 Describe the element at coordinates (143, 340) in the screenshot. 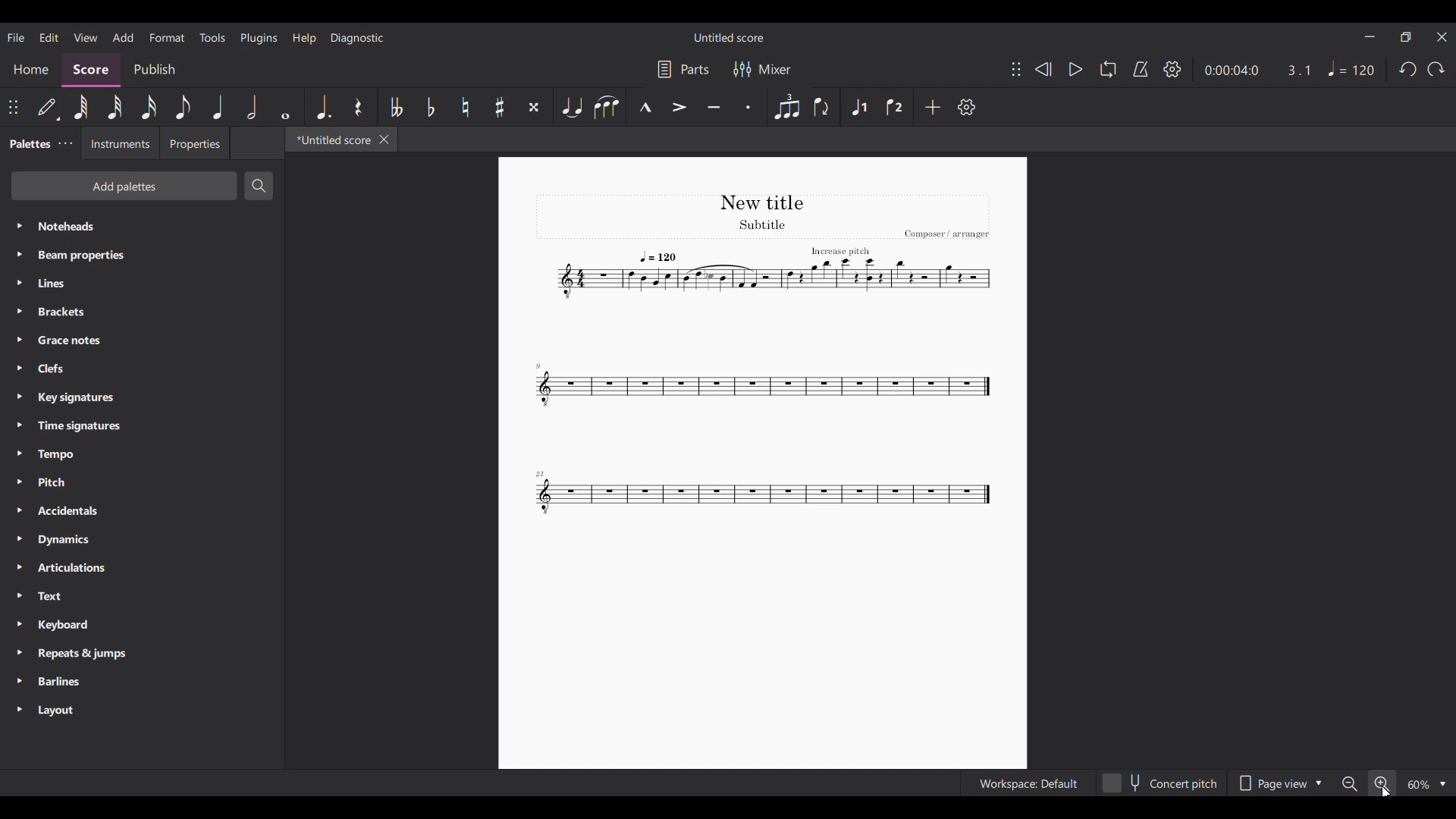

I see `Grace notes` at that location.